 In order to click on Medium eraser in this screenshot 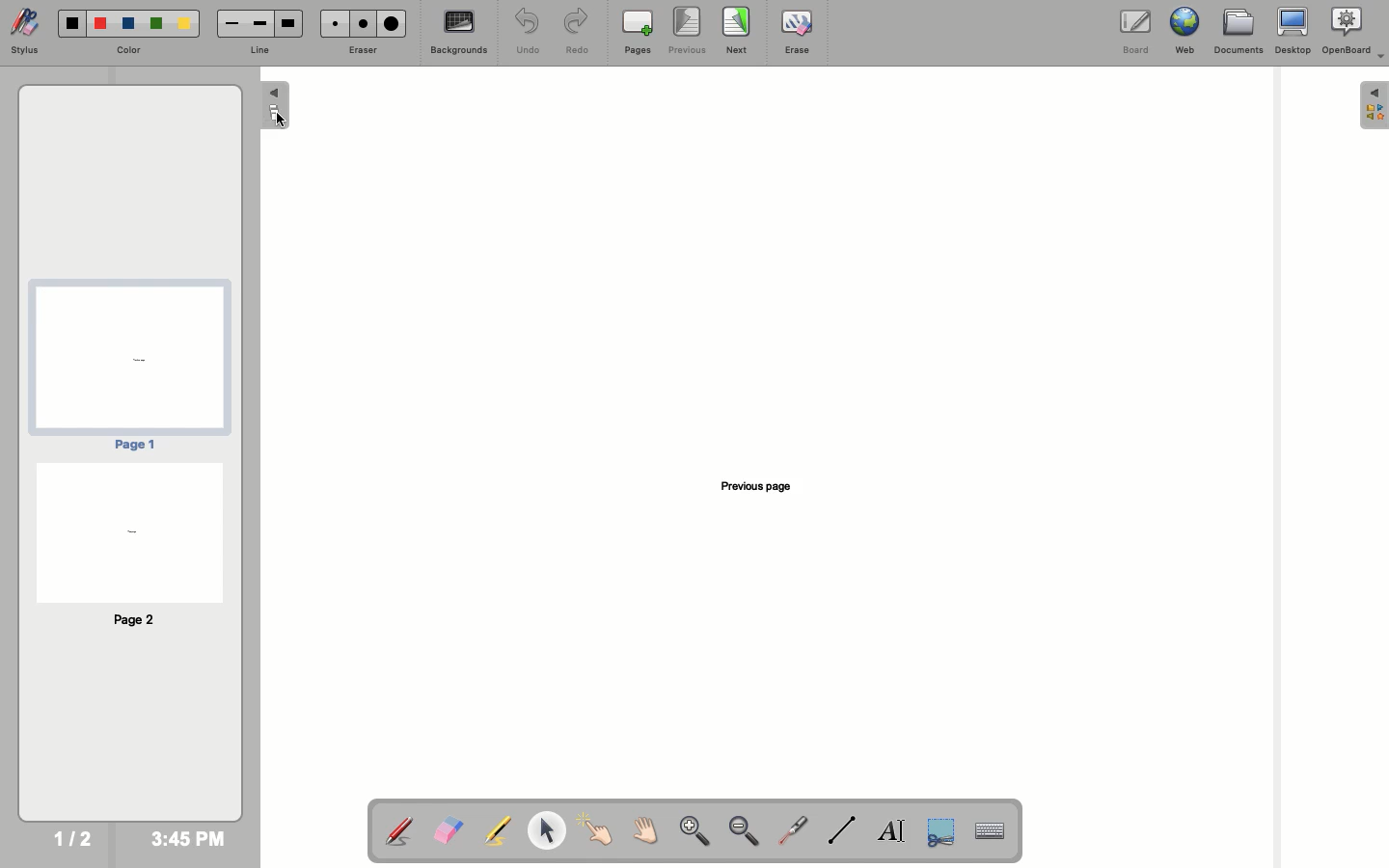, I will do `click(360, 23)`.